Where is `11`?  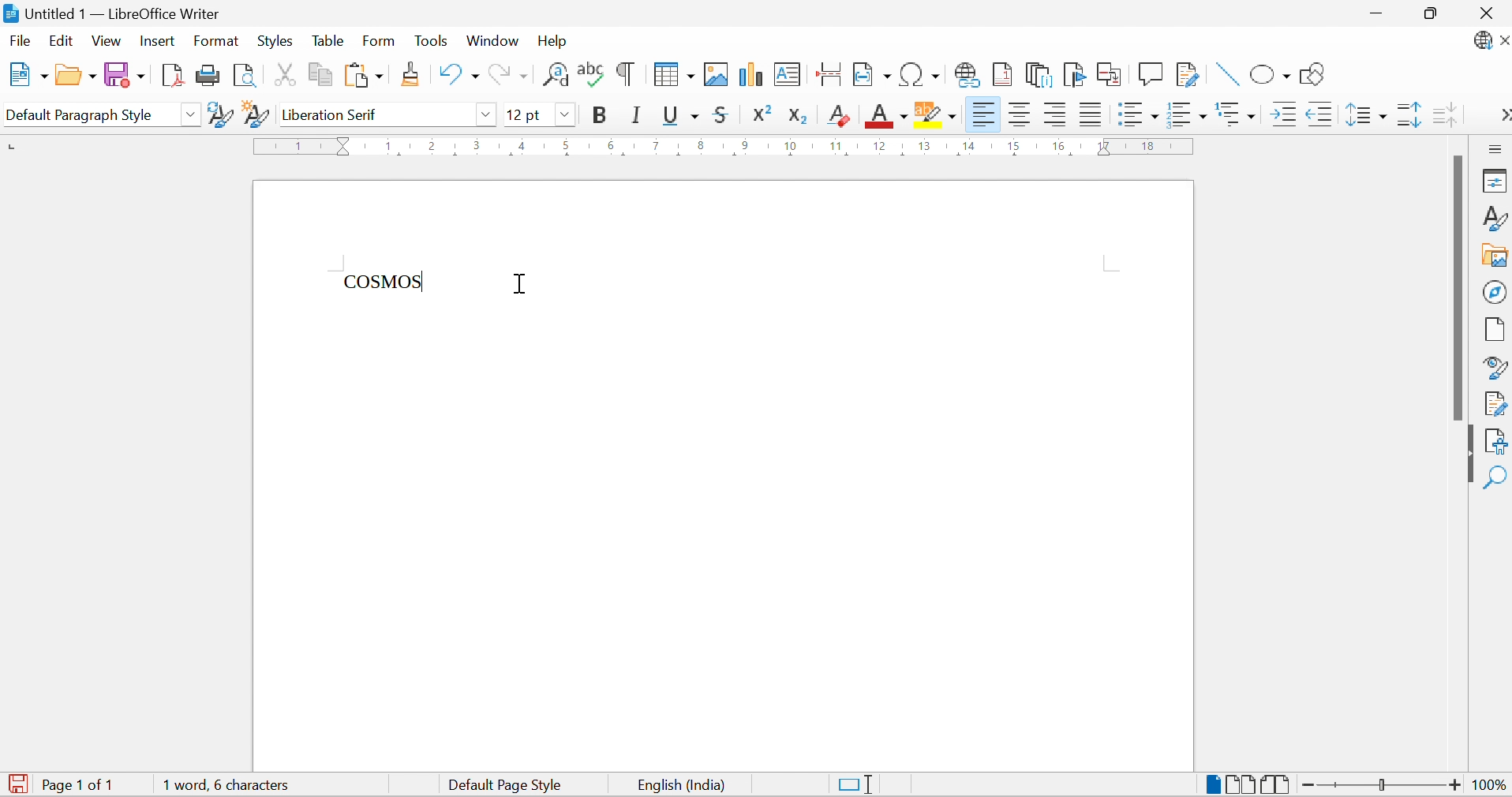 11 is located at coordinates (837, 146).